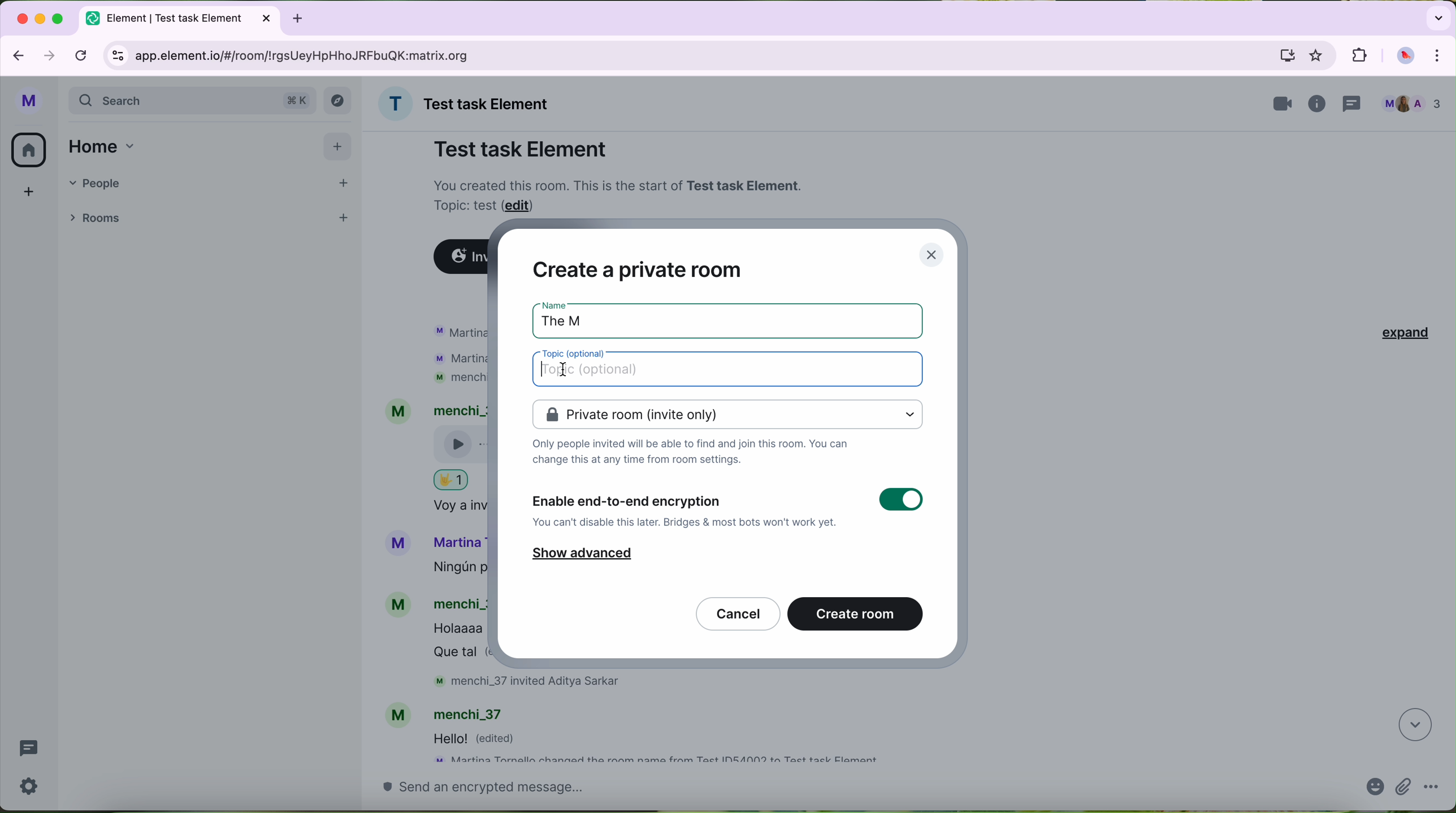  Describe the element at coordinates (1319, 105) in the screenshot. I see `information` at that location.